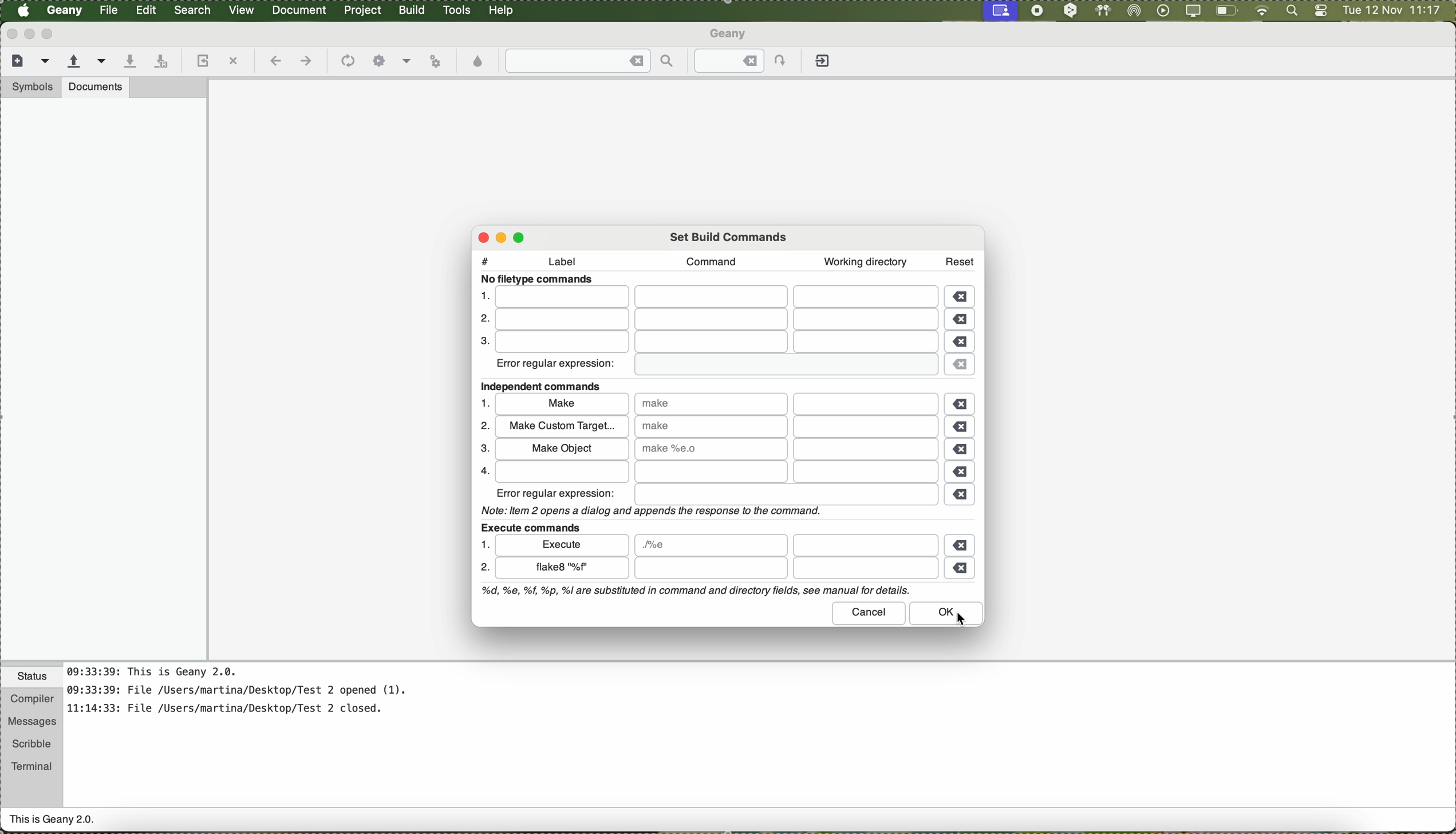 The width and height of the screenshot is (1456, 834). Describe the element at coordinates (480, 320) in the screenshot. I see `2` at that location.